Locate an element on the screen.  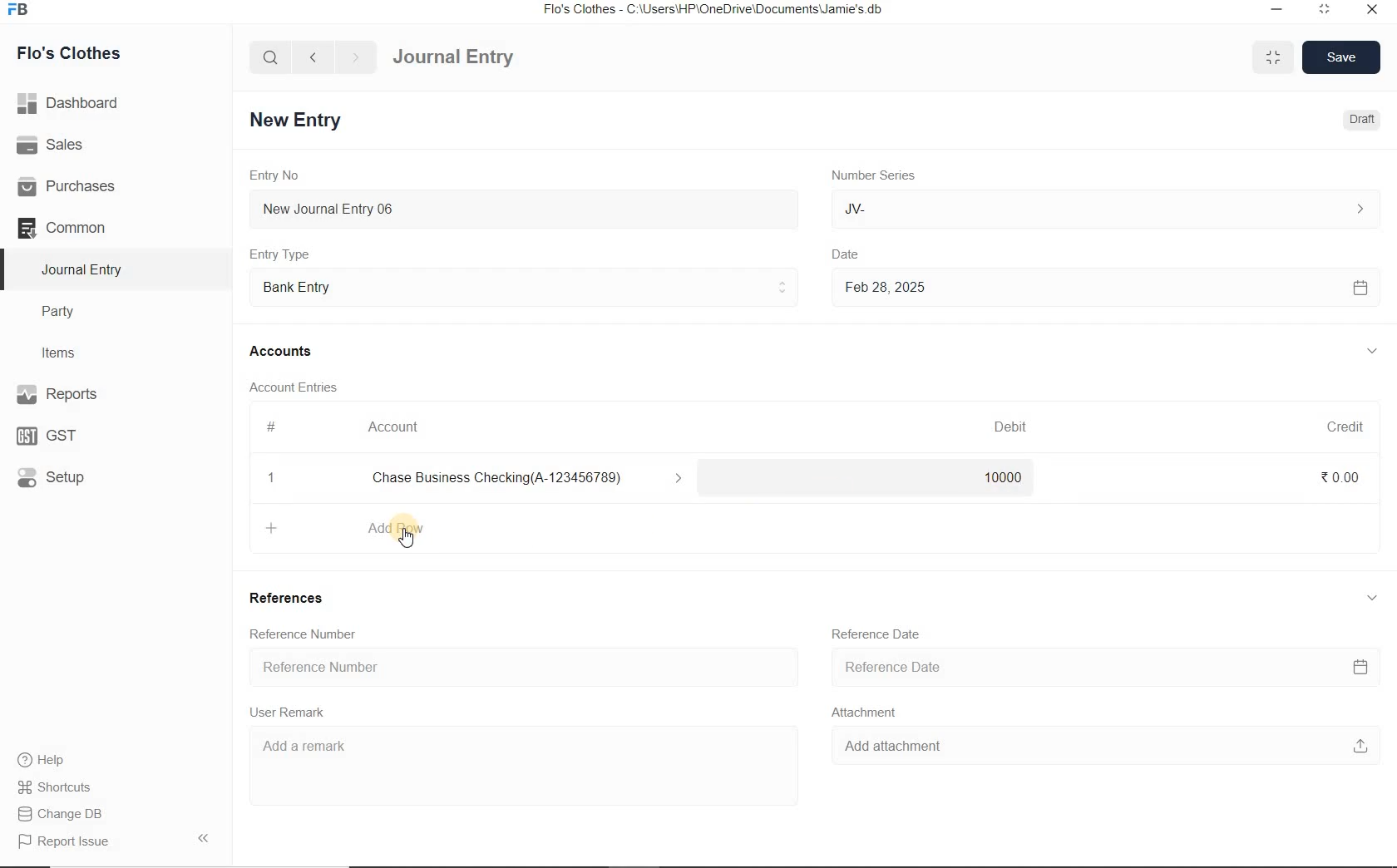
Date is located at coordinates (857, 252).